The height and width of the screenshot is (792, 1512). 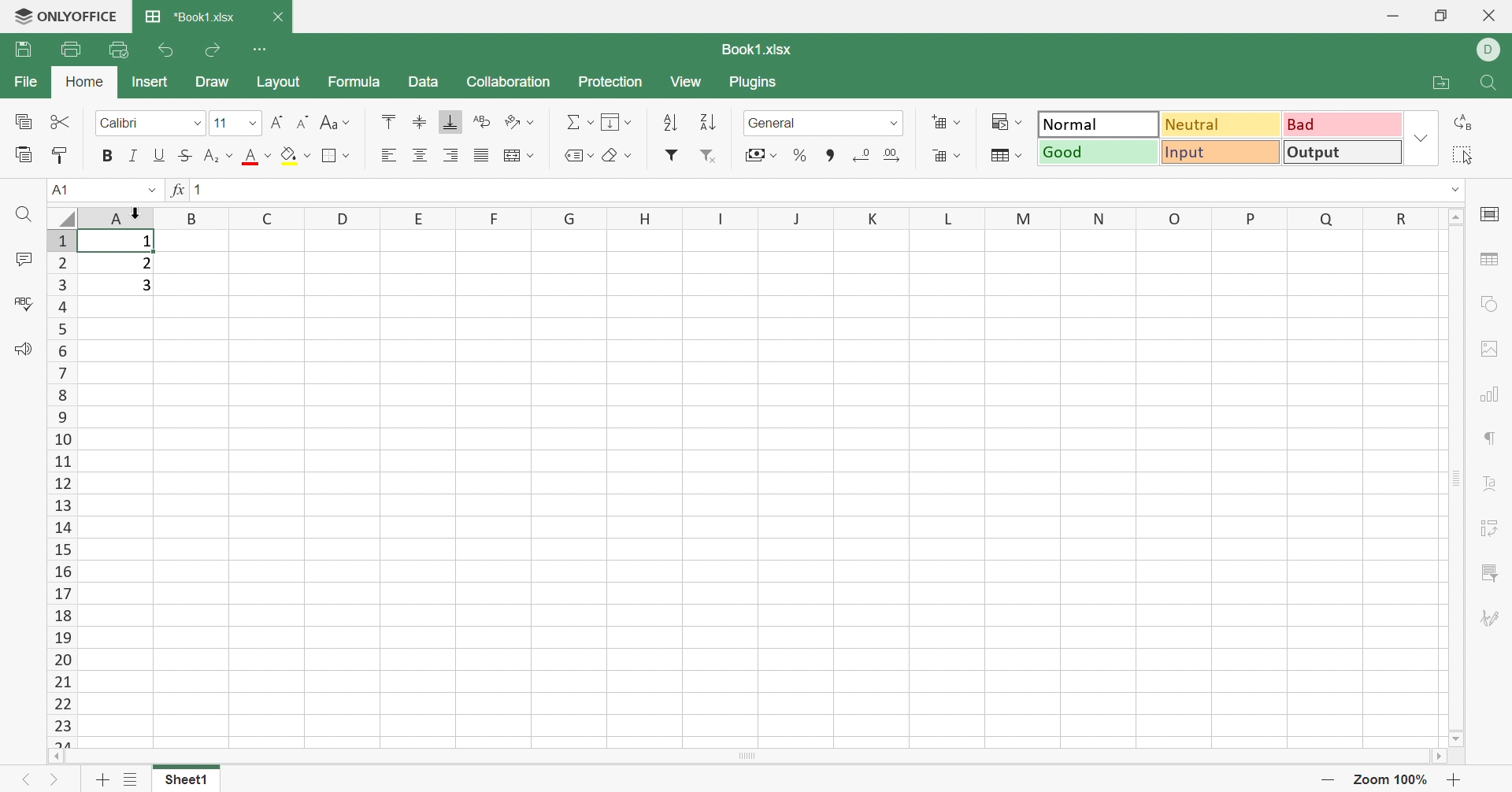 What do you see at coordinates (130, 781) in the screenshot?
I see `List of sheets` at bounding box center [130, 781].